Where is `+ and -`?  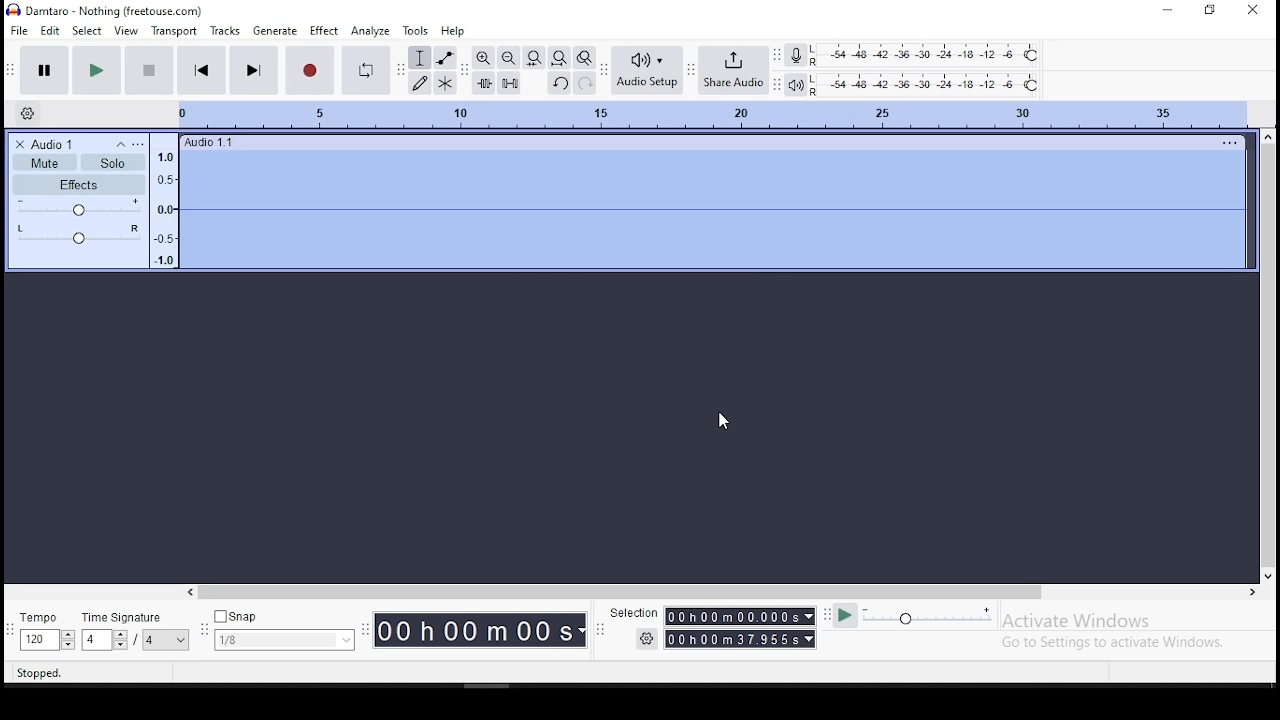 + and - is located at coordinates (79, 208).